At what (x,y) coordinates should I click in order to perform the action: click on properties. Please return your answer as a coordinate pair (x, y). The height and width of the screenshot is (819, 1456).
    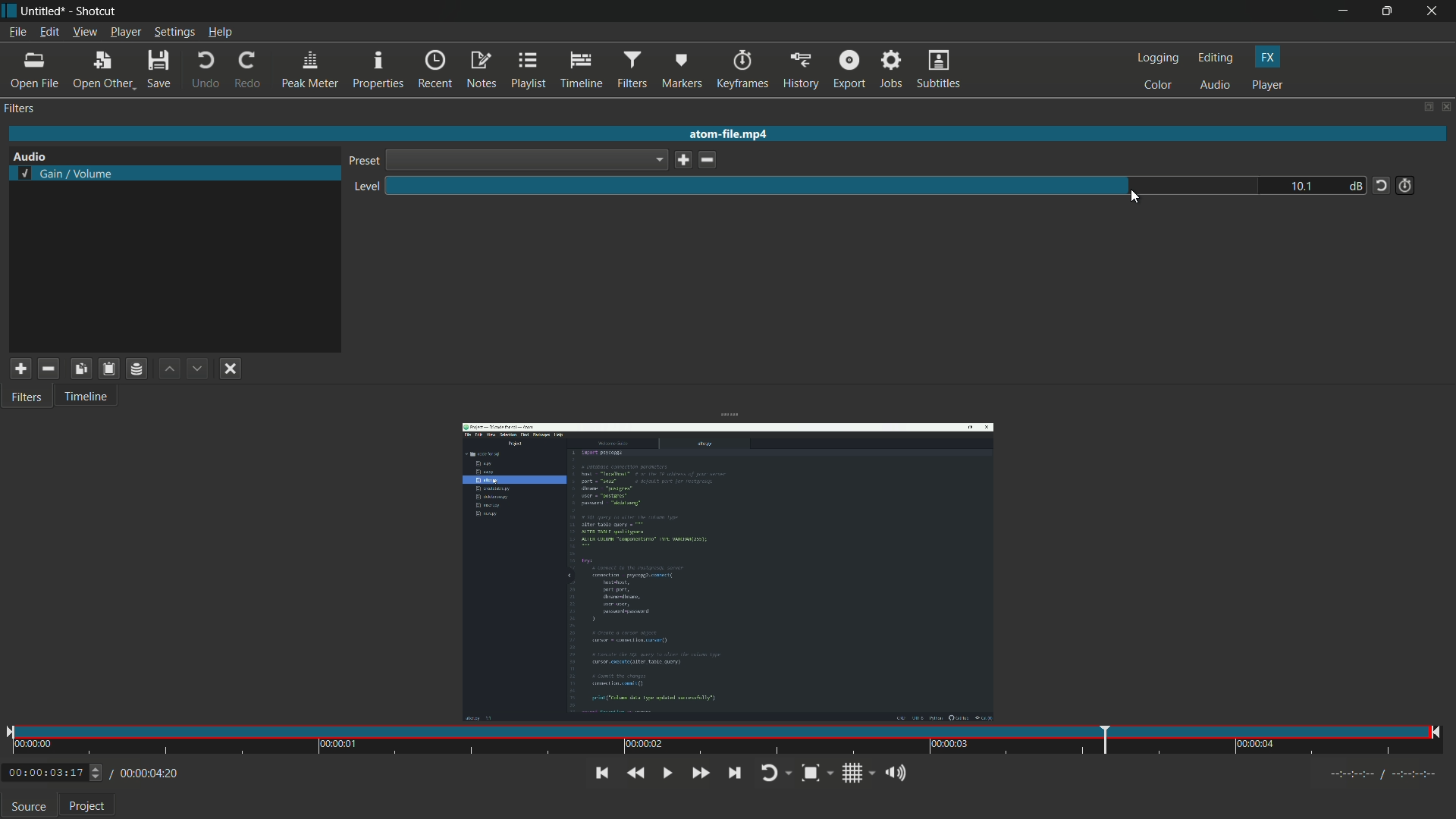
    Looking at the image, I should click on (378, 70).